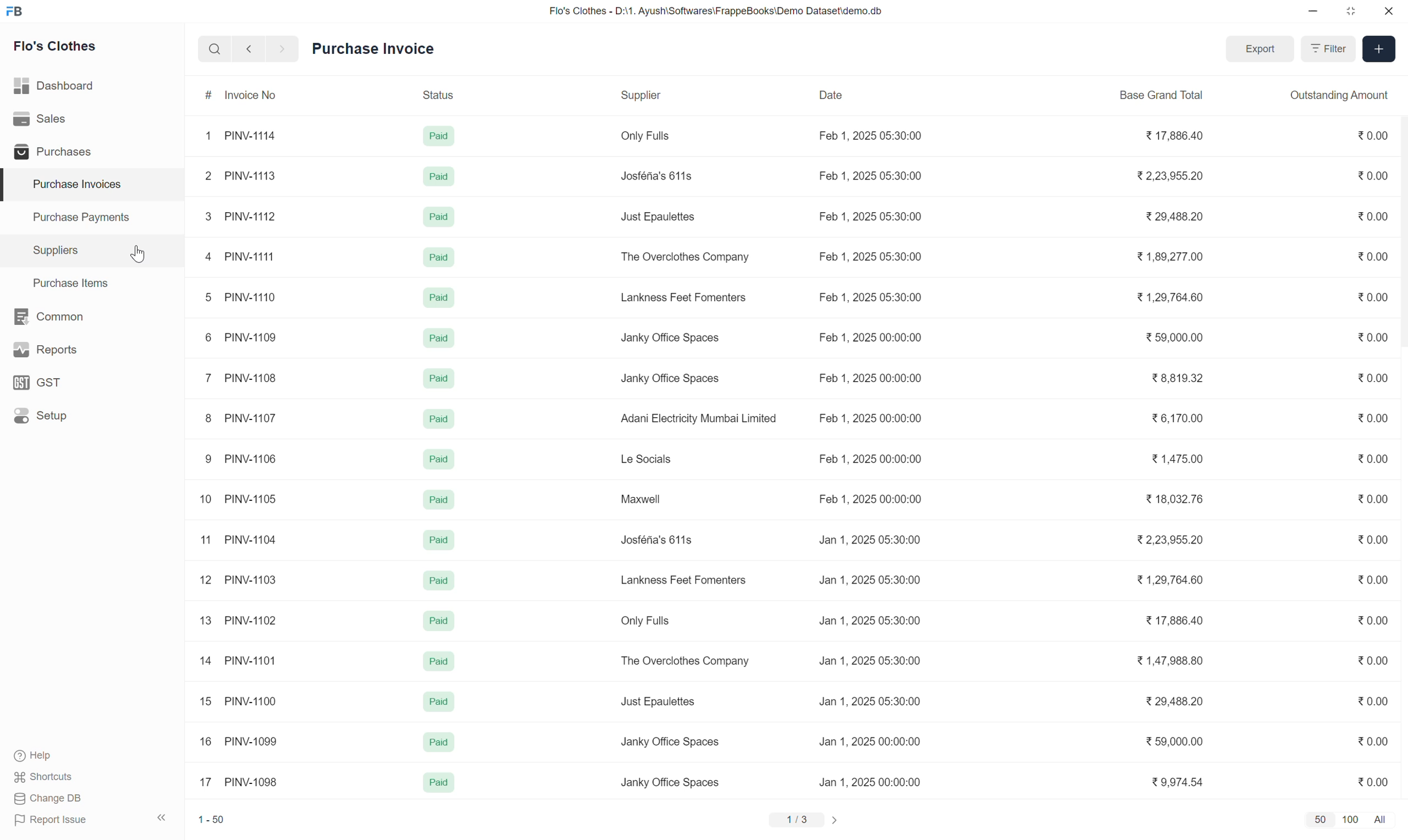  I want to click on 3, so click(206, 218).